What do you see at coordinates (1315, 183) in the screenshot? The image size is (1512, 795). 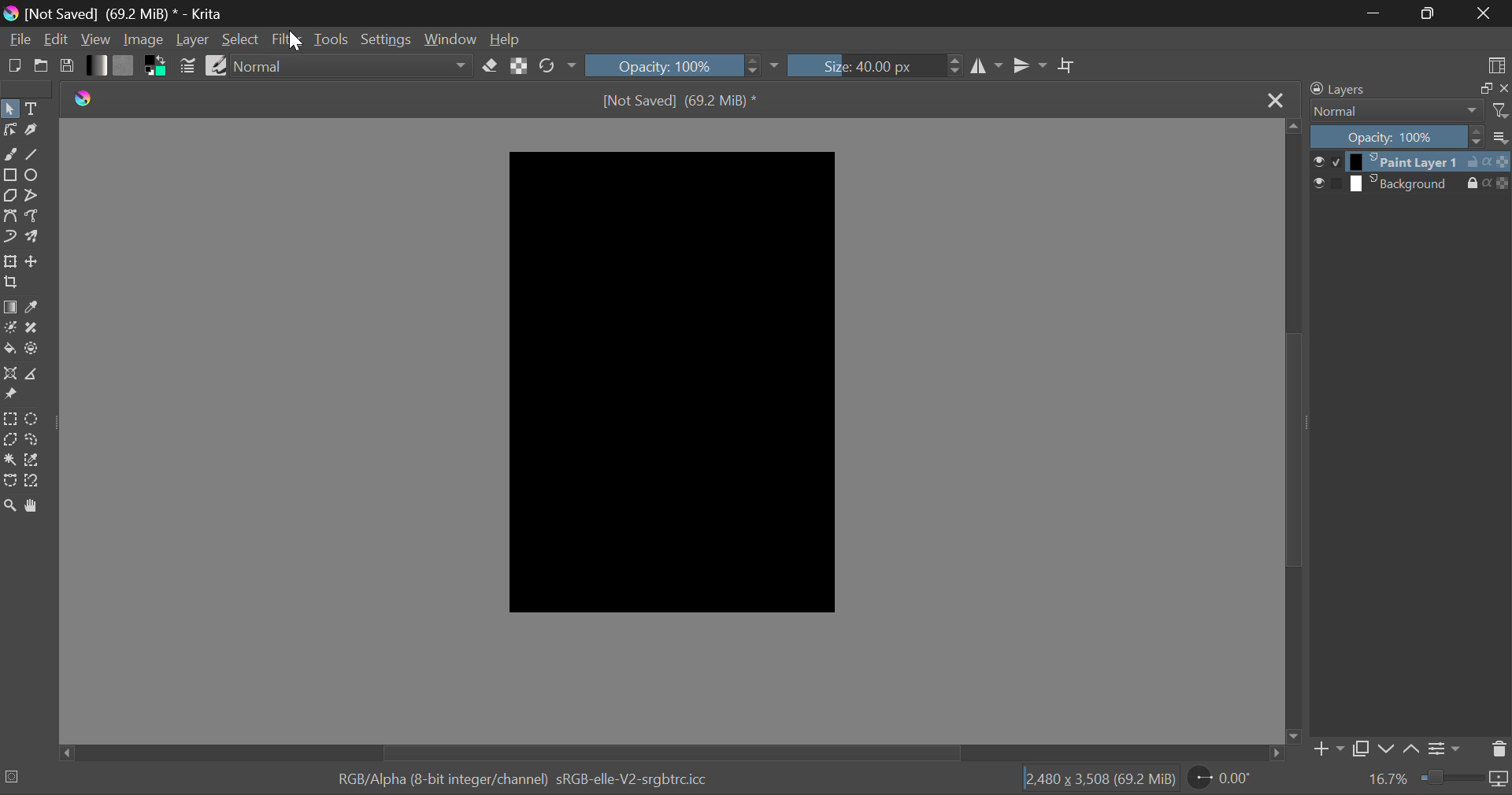 I see `select` at bounding box center [1315, 183].